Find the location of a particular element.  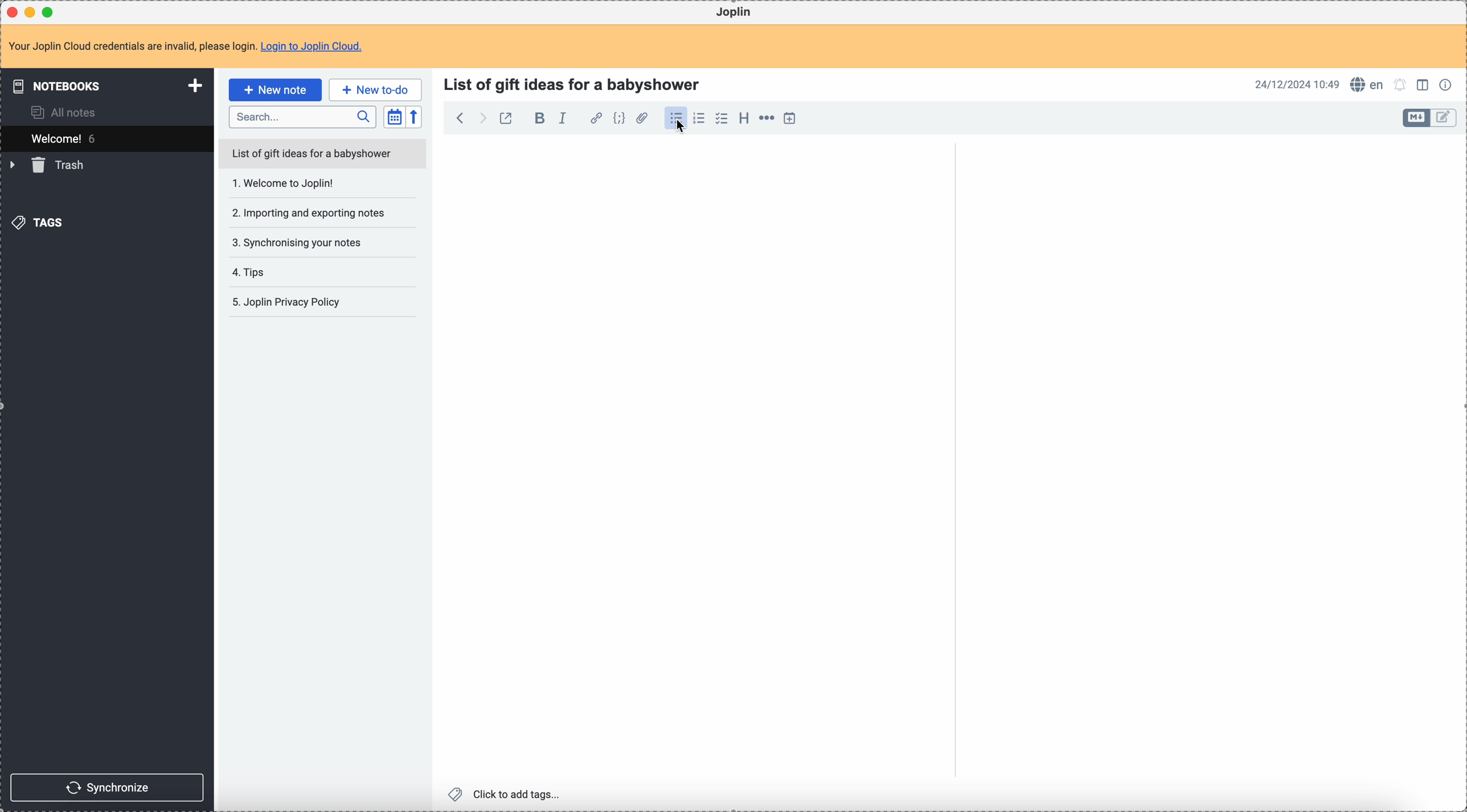

foward is located at coordinates (483, 118).